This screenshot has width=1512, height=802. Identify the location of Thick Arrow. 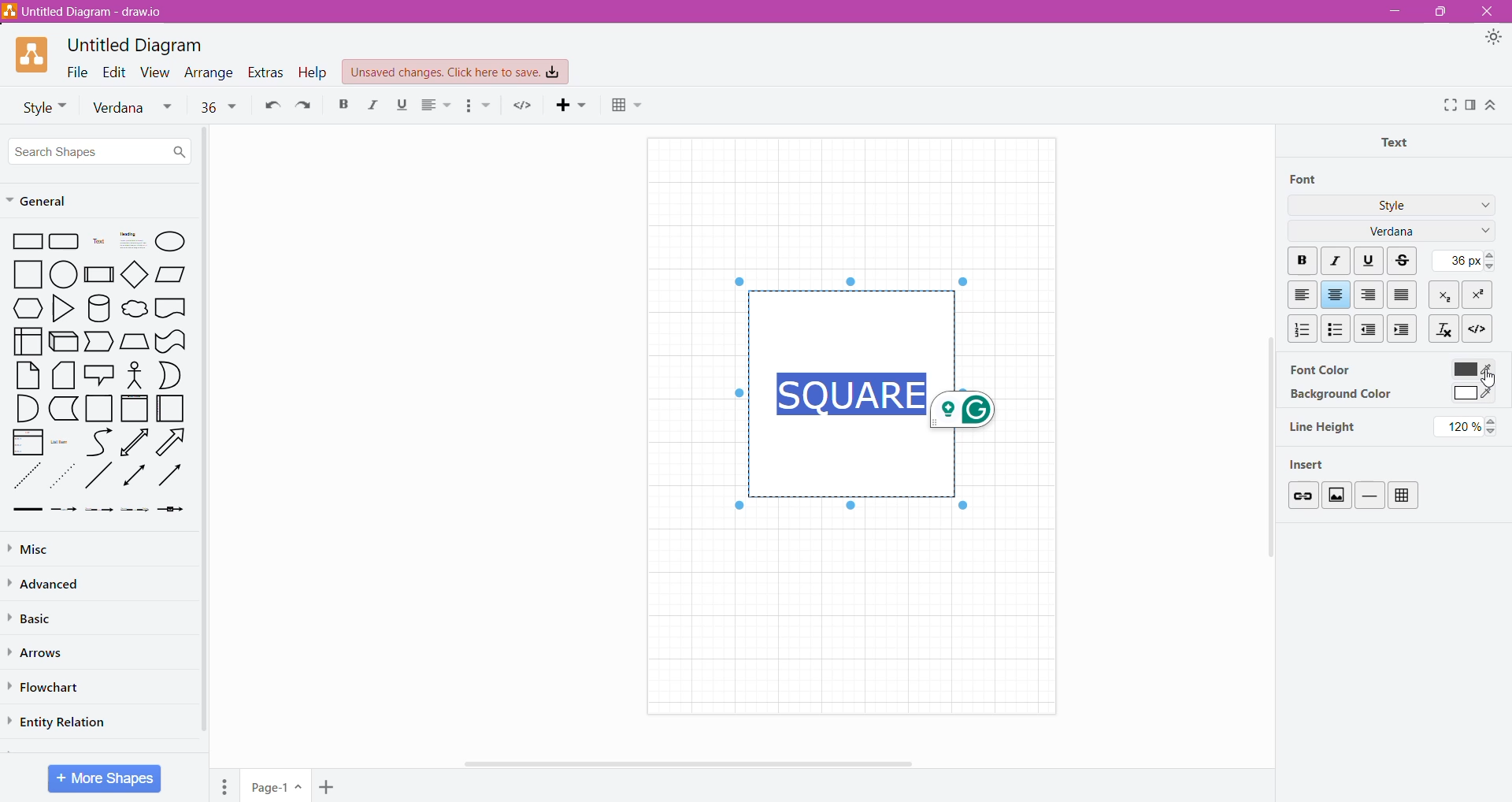
(23, 510).